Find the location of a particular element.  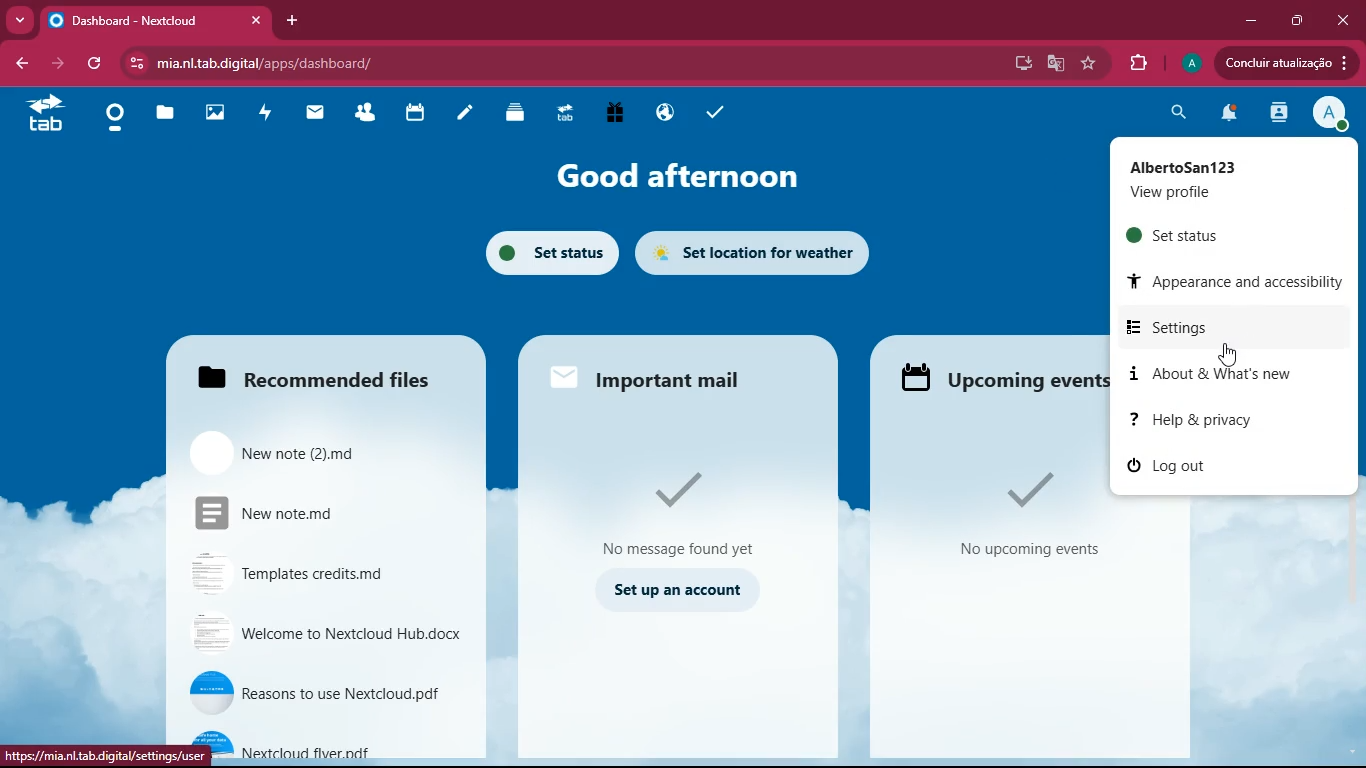

back is located at coordinates (23, 65).